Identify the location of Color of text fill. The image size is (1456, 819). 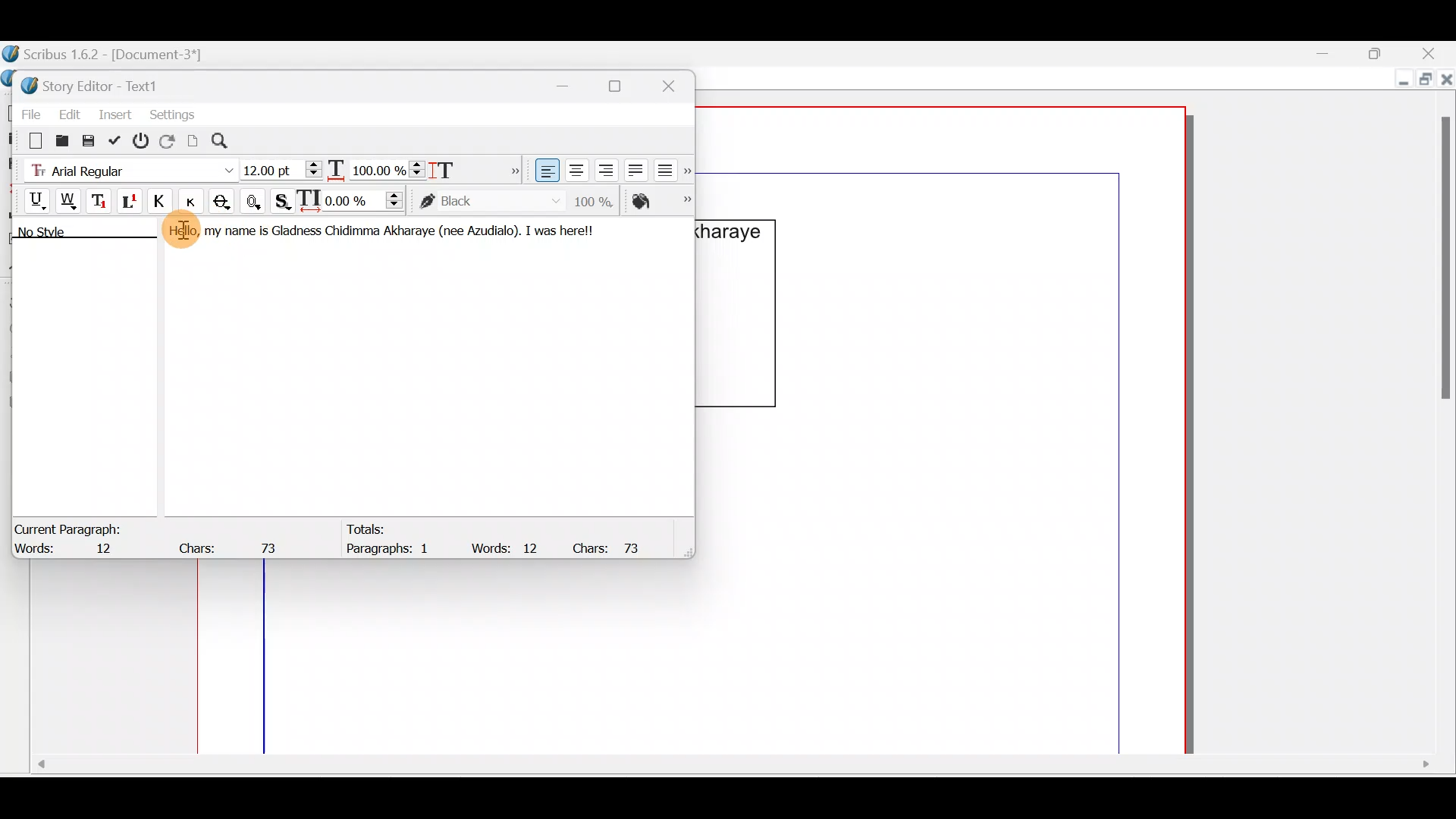
(660, 201).